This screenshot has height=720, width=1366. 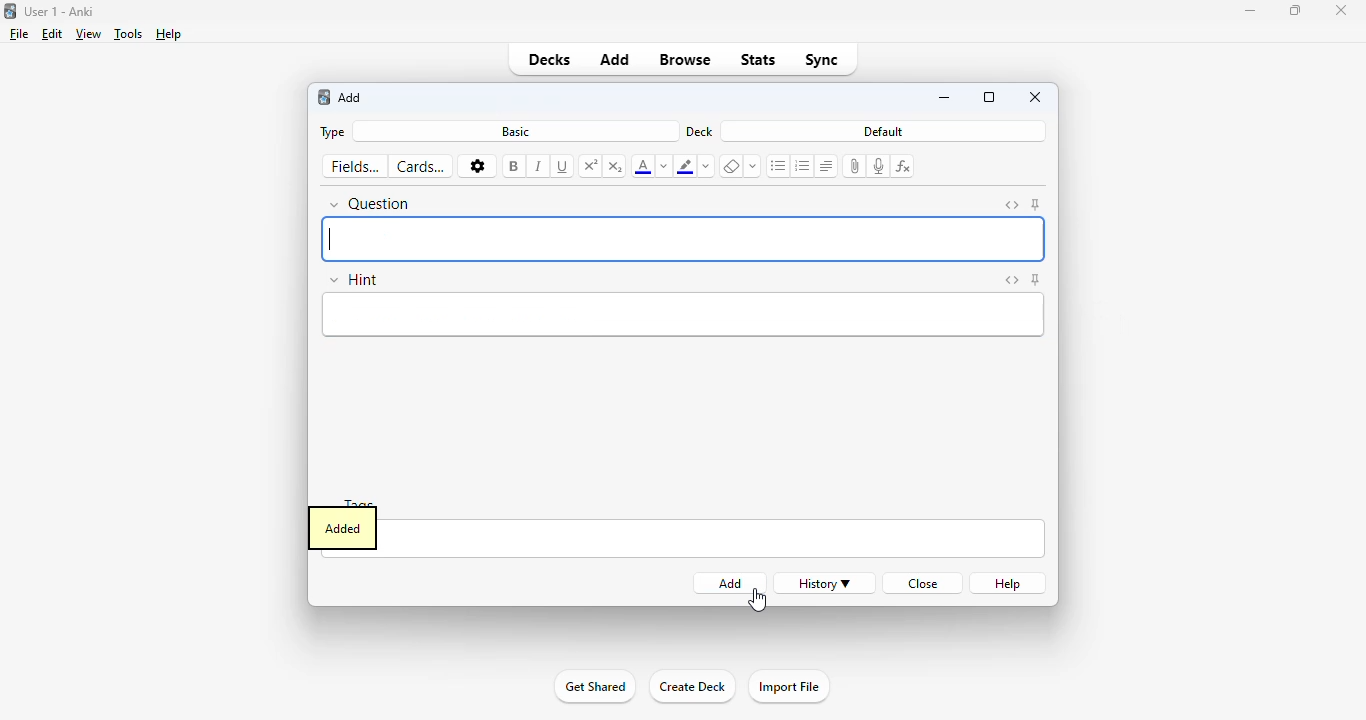 What do you see at coordinates (879, 166) in the screenshot?
I see `record audio` at bounding box center [879, 166].